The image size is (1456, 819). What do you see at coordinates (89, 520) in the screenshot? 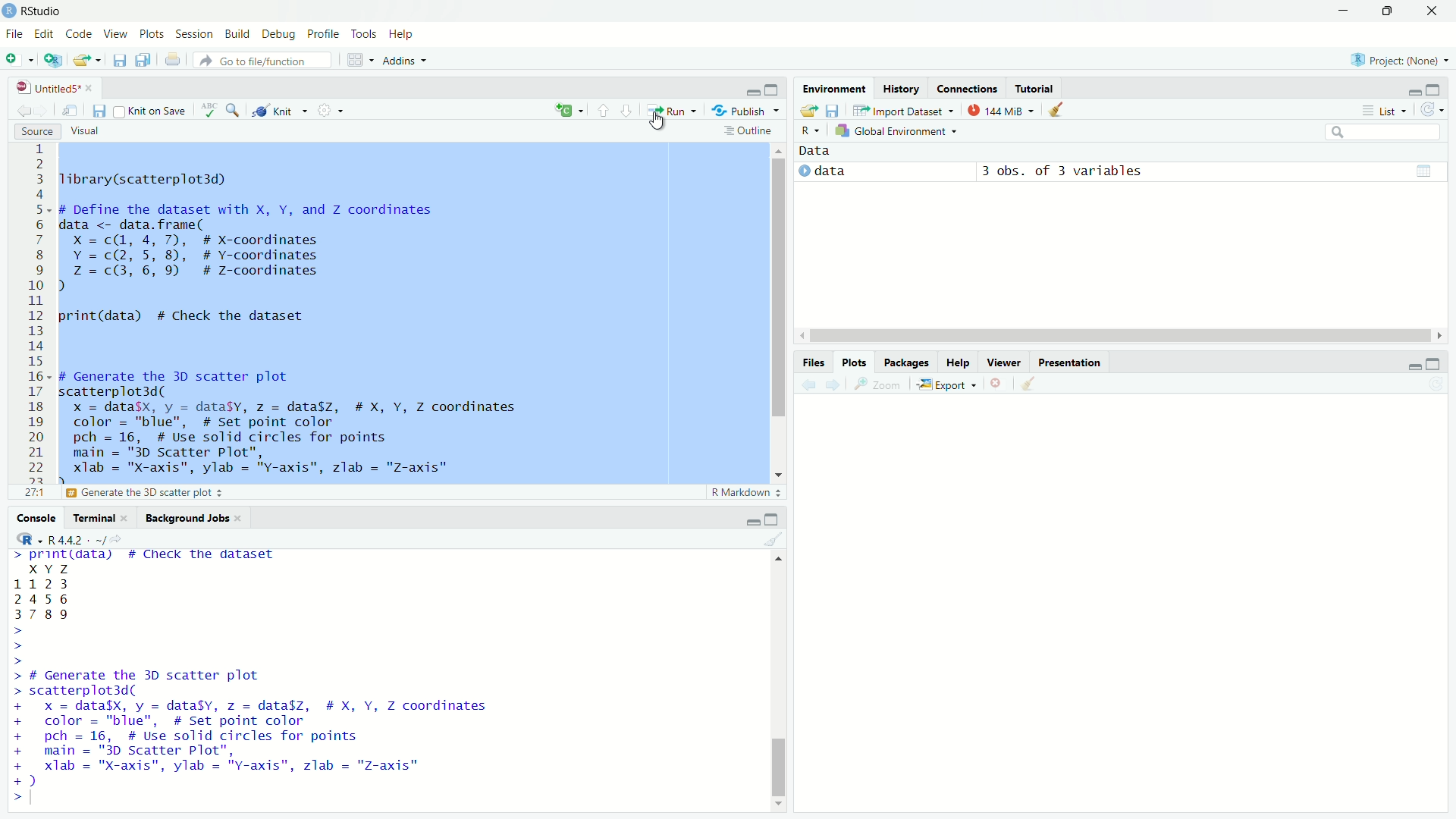
I see `terminal` at bounding box center [89, 520].